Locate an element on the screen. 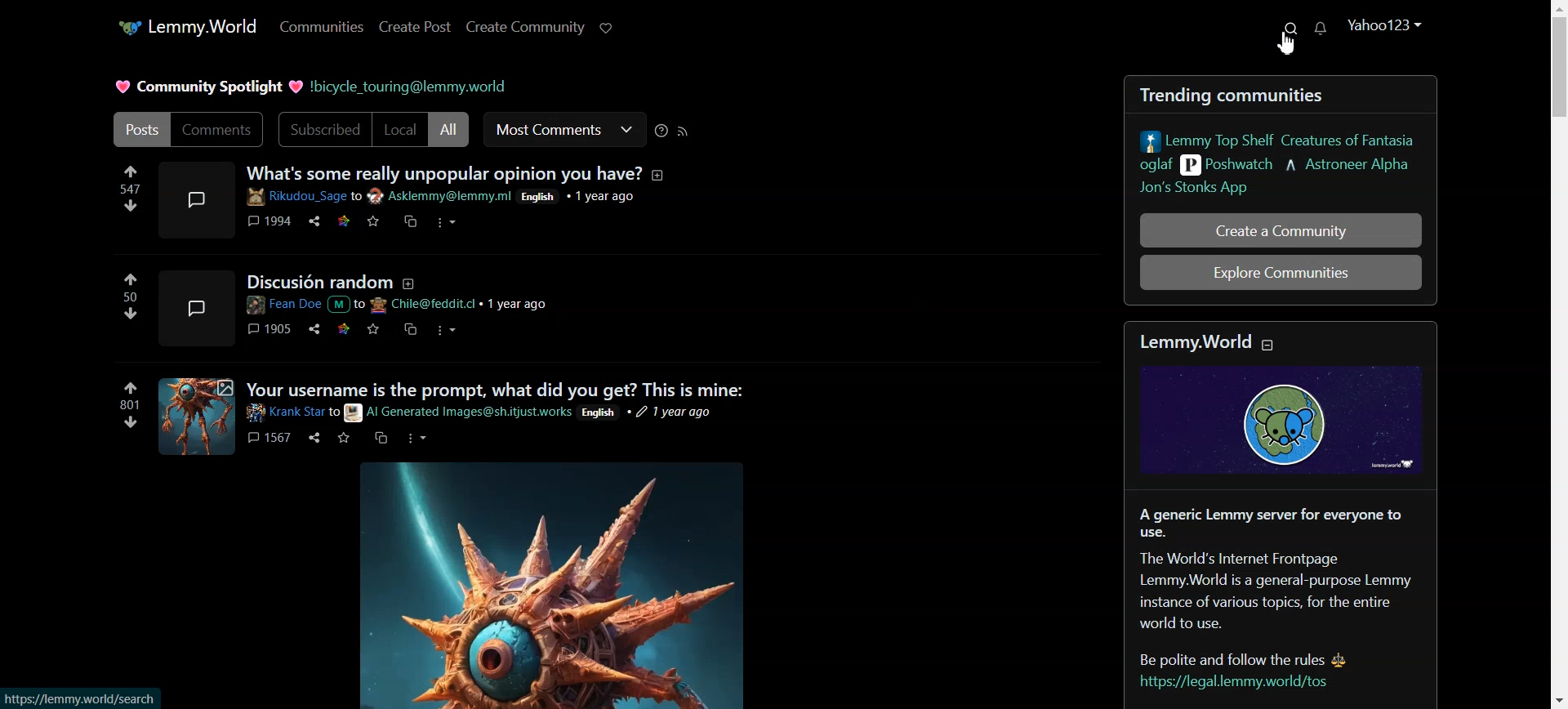 This screenshot has height=709, width=1568. starred is located at coordinates (345, 222).